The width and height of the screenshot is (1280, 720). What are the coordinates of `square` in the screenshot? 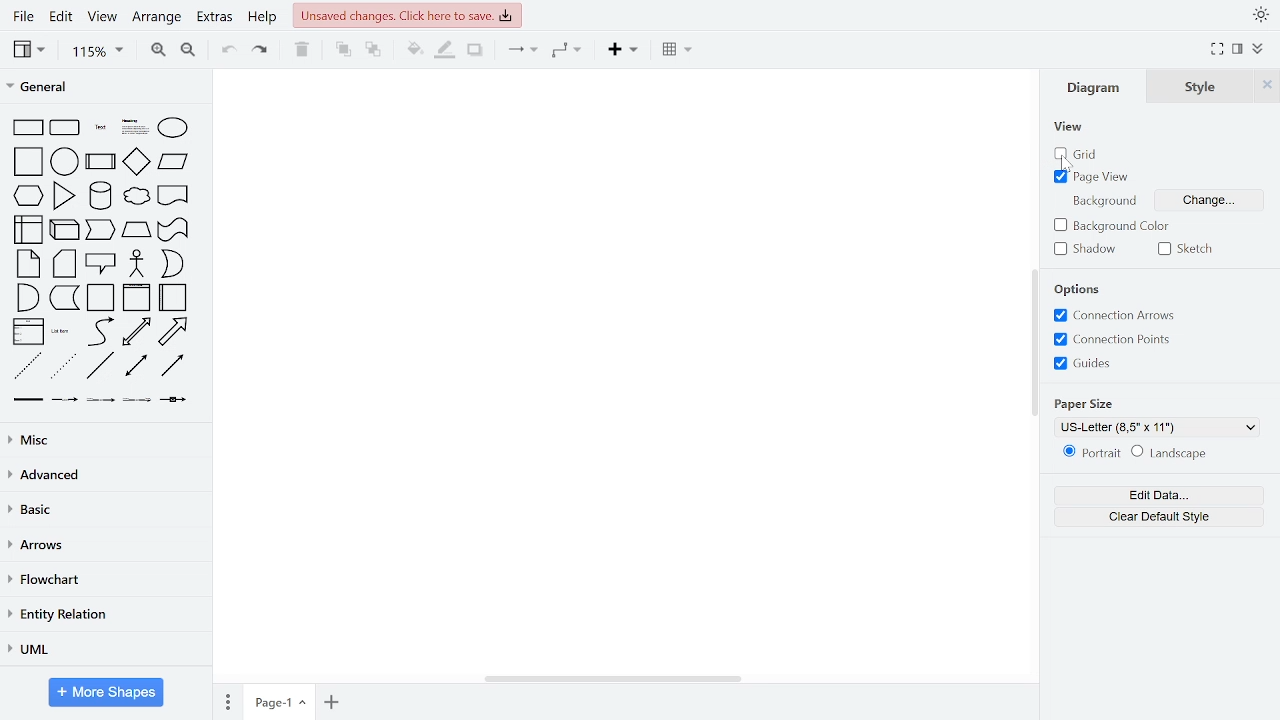 It's located at (30, 162).